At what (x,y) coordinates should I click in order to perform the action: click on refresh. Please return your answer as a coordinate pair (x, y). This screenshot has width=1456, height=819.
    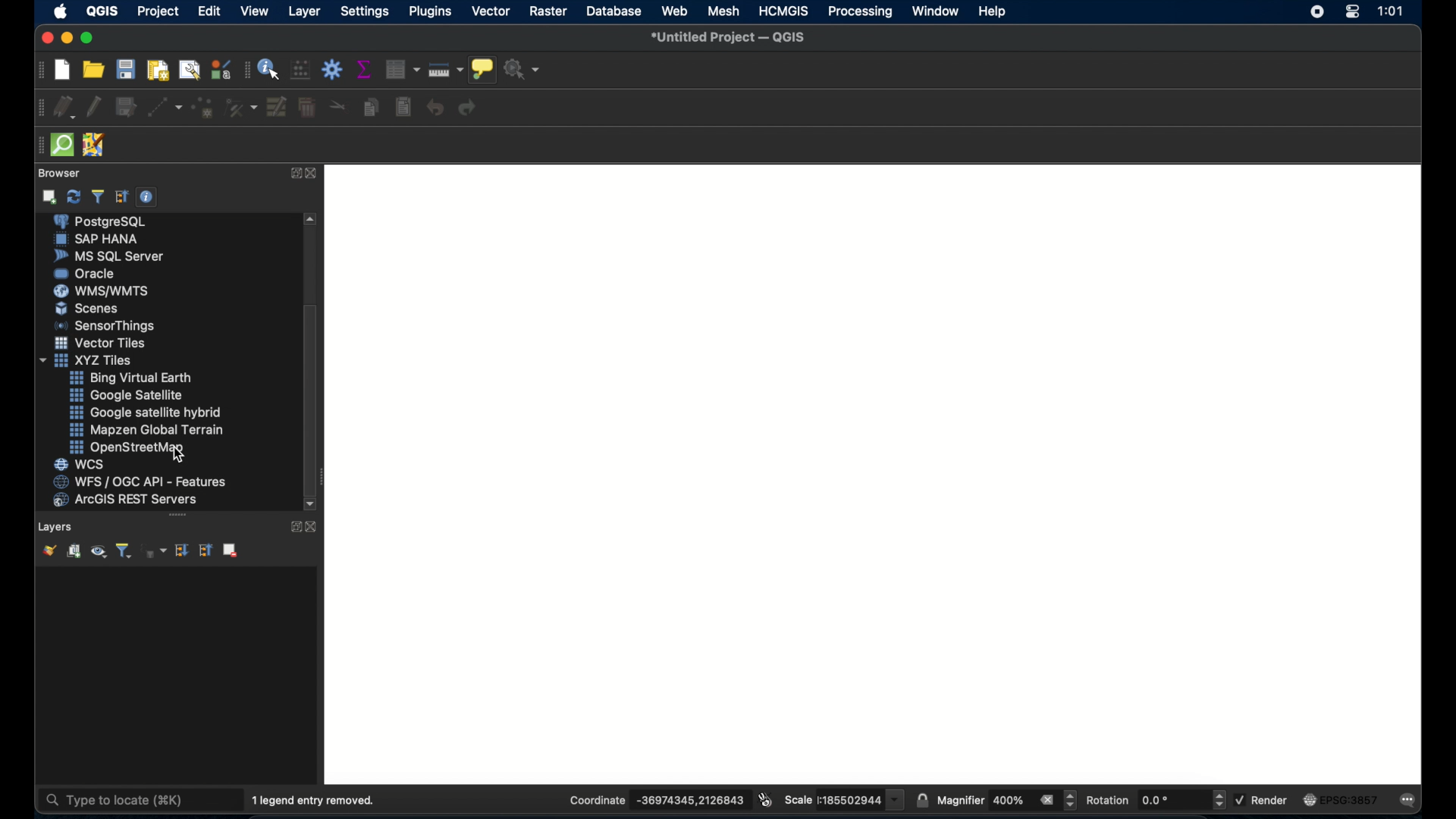
    Looking at the image, I should click on (75, 197).